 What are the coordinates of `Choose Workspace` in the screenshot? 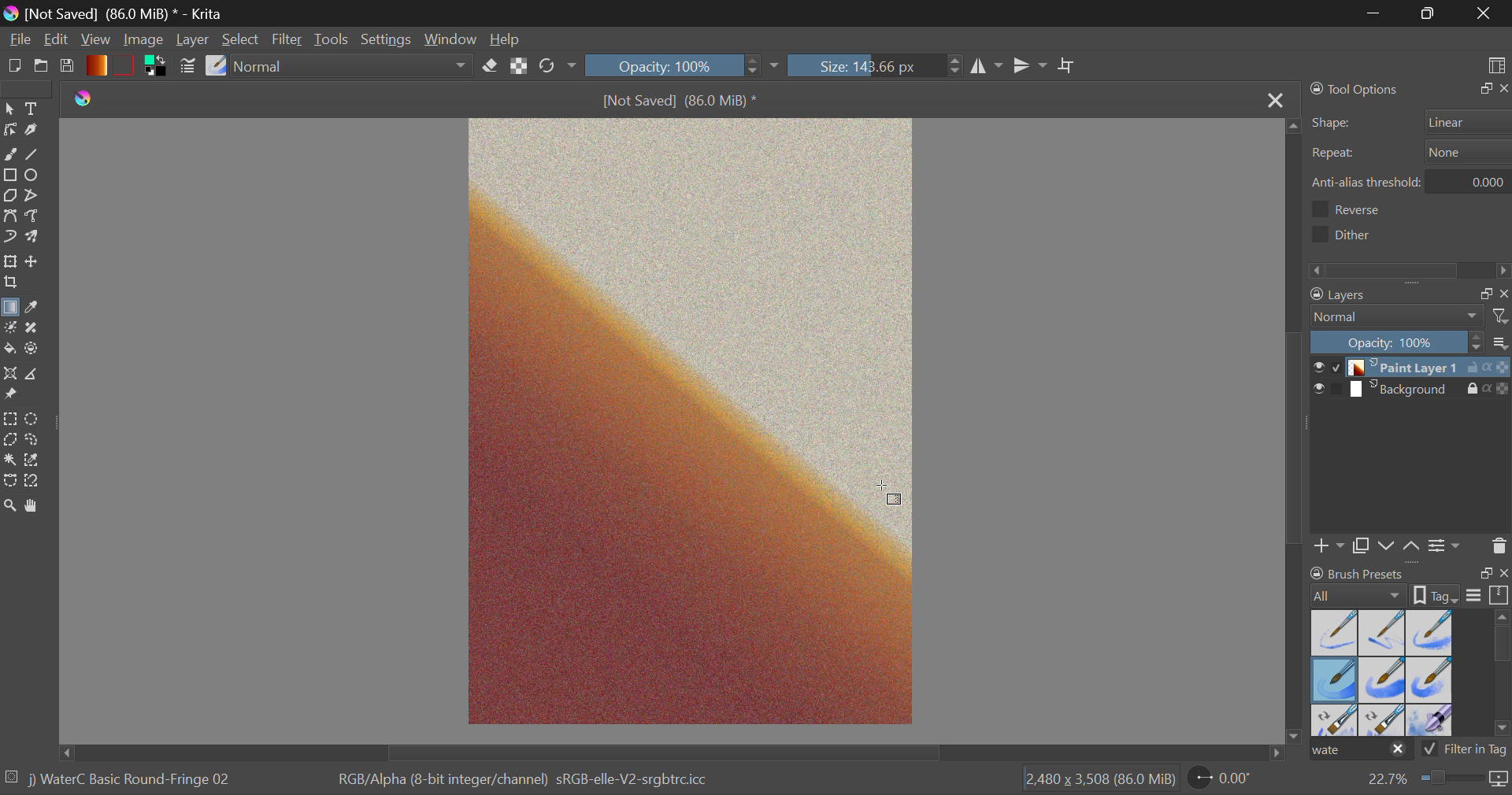 It's located at (1495, 64).